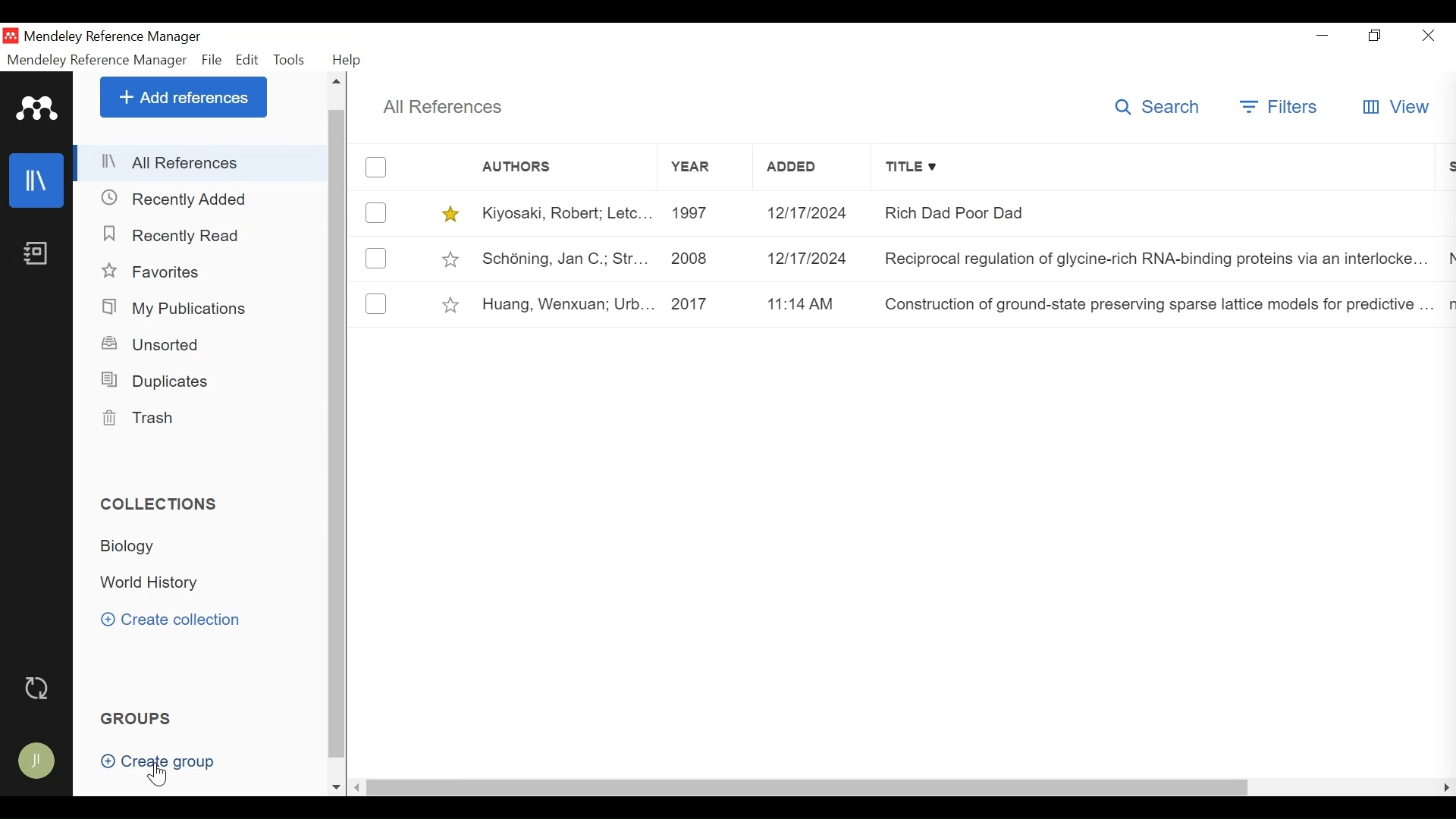 This screenshot has height=819, width=1456. Describe the element at coordinates (706, 304) in the screenshot. I see `2017` at that location.